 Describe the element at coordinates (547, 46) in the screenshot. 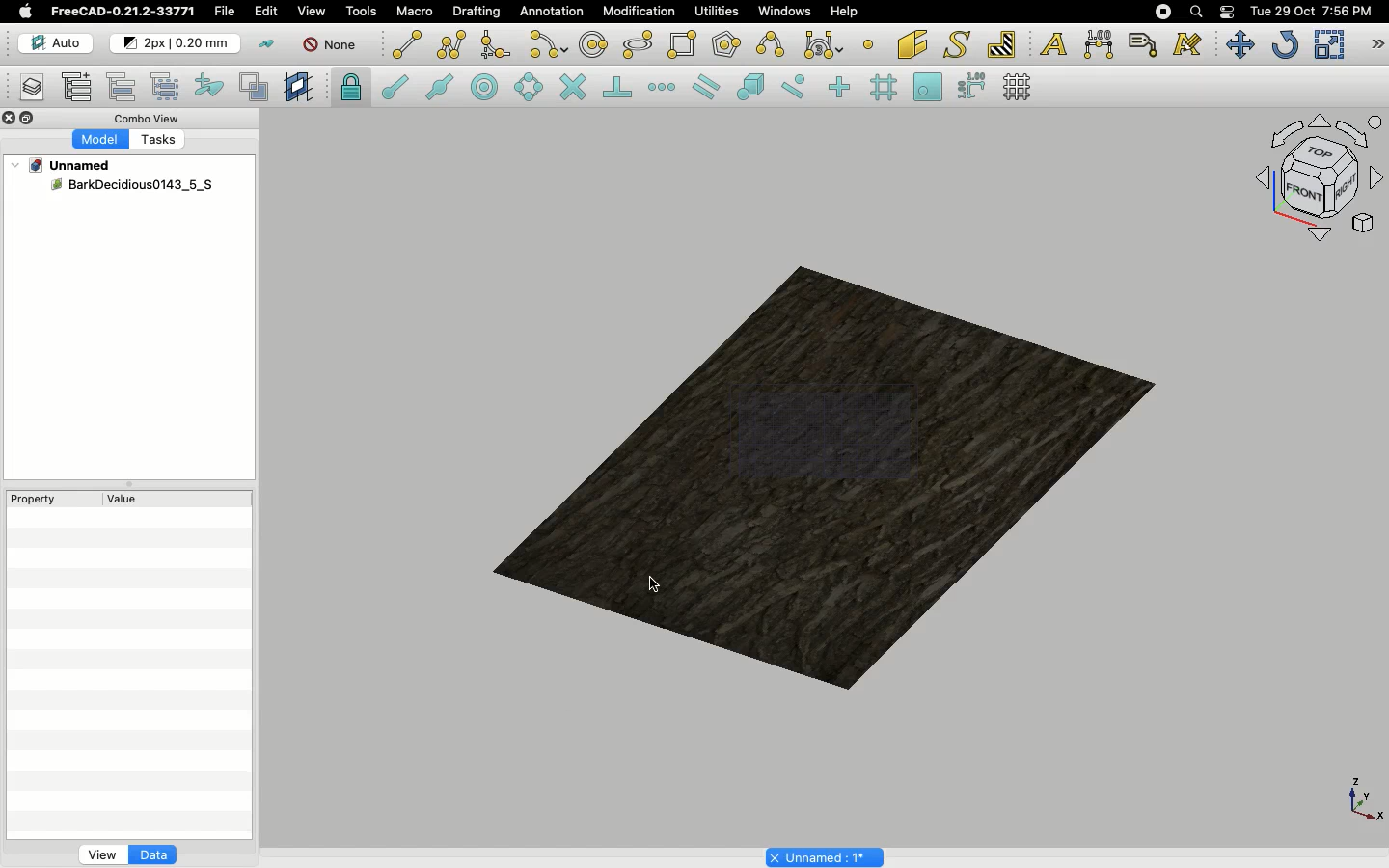

I see `Arc tools` at that location.